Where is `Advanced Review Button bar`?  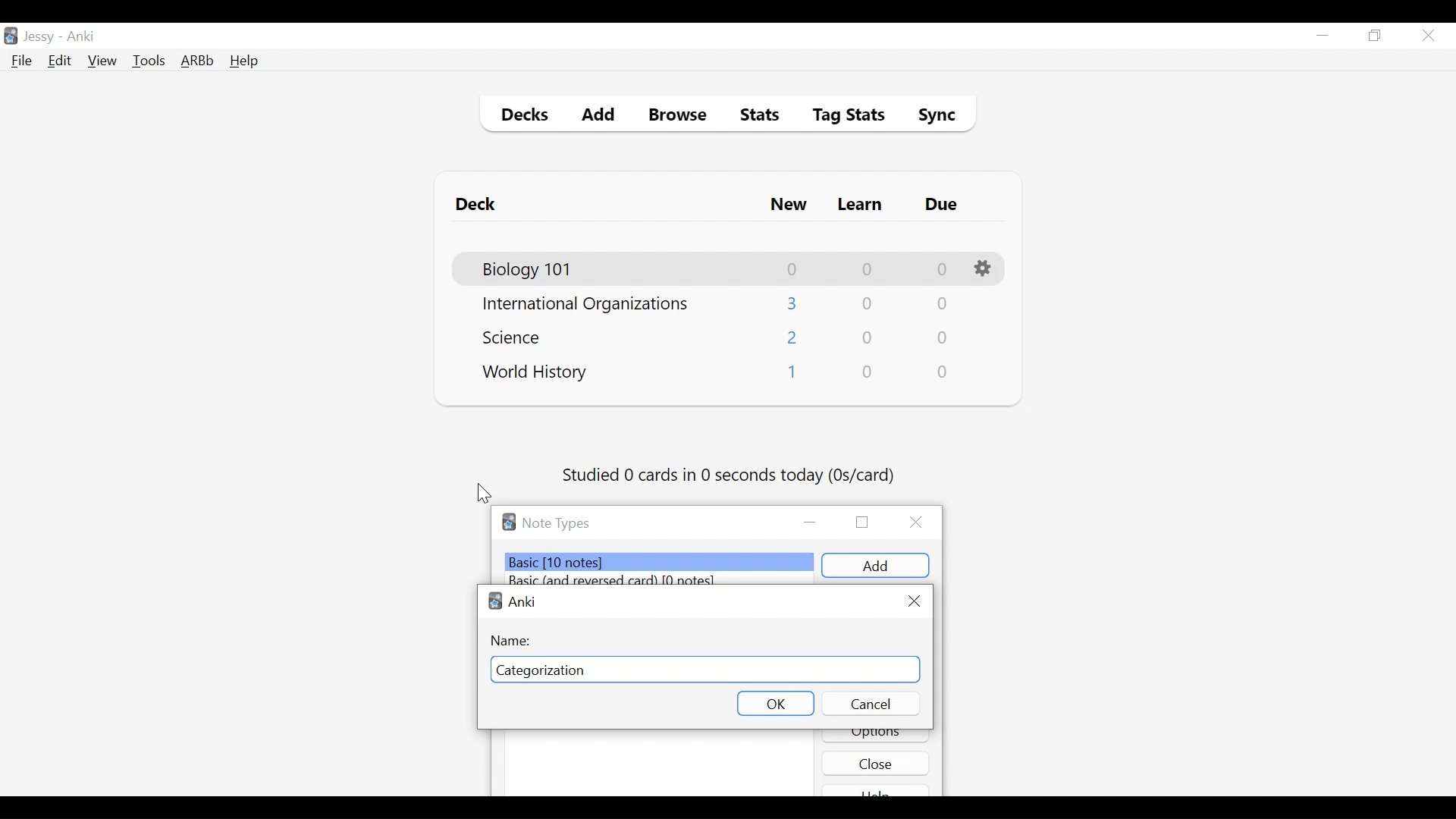 Advanced Review Button bar is located at coordinates (198, 61).